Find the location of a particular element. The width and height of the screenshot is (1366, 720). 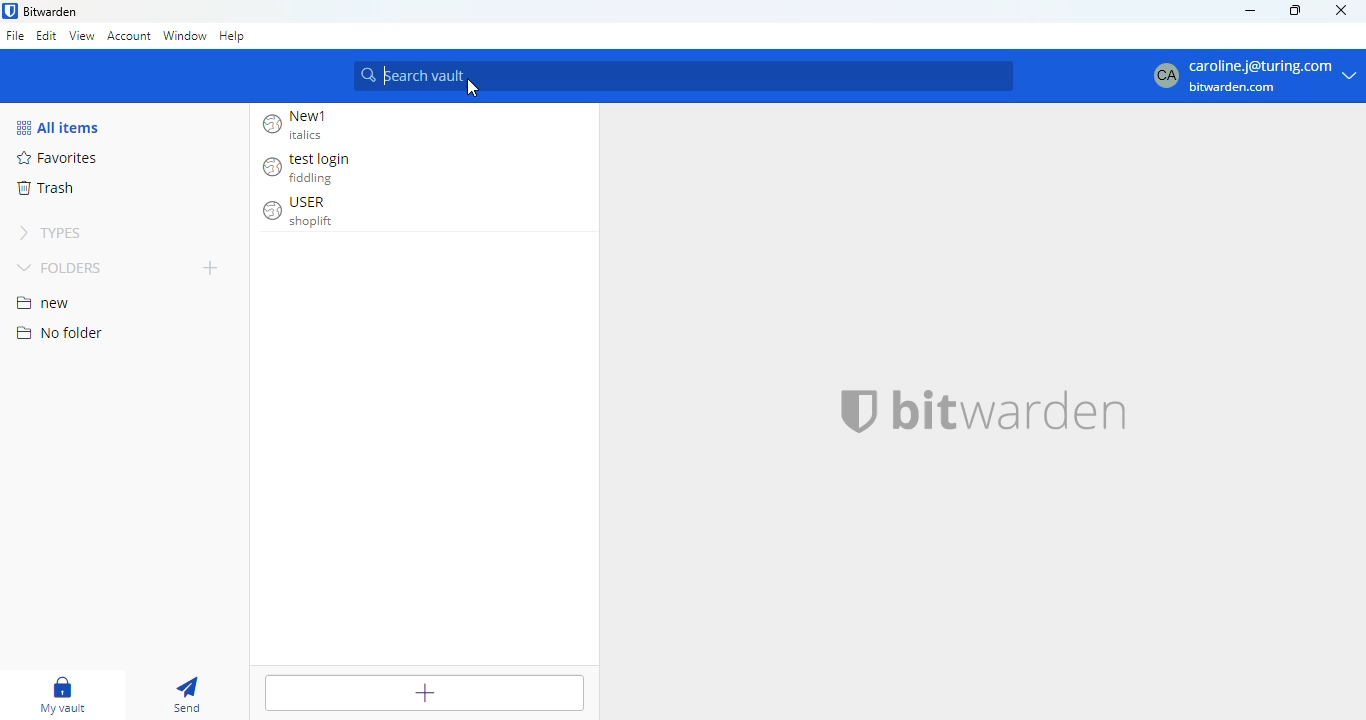

New1  italics is located at coordinates (304, 125).